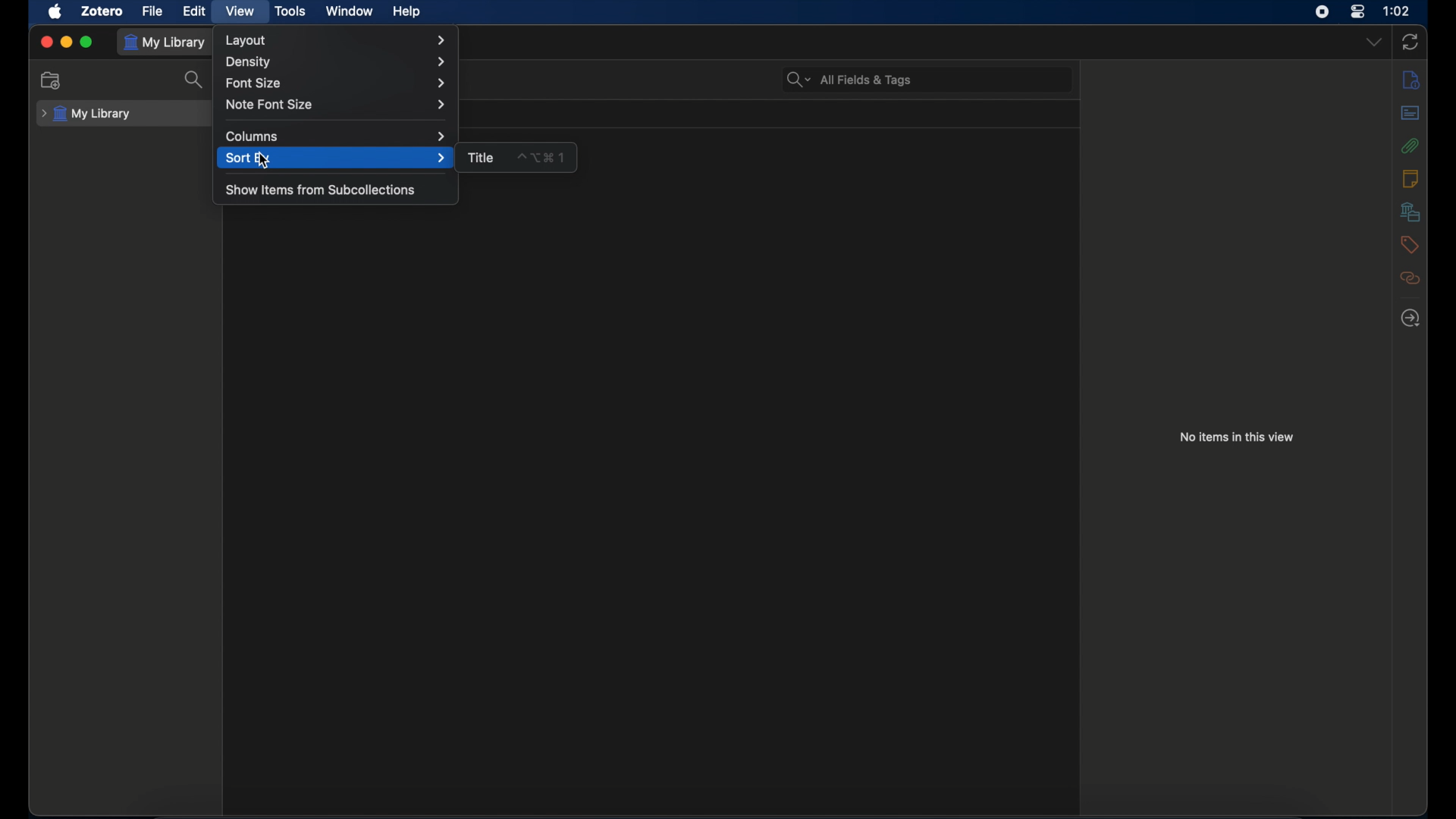 This screenshot has height=819, width=1456. I want to click on libraries, so click(1410, 212).